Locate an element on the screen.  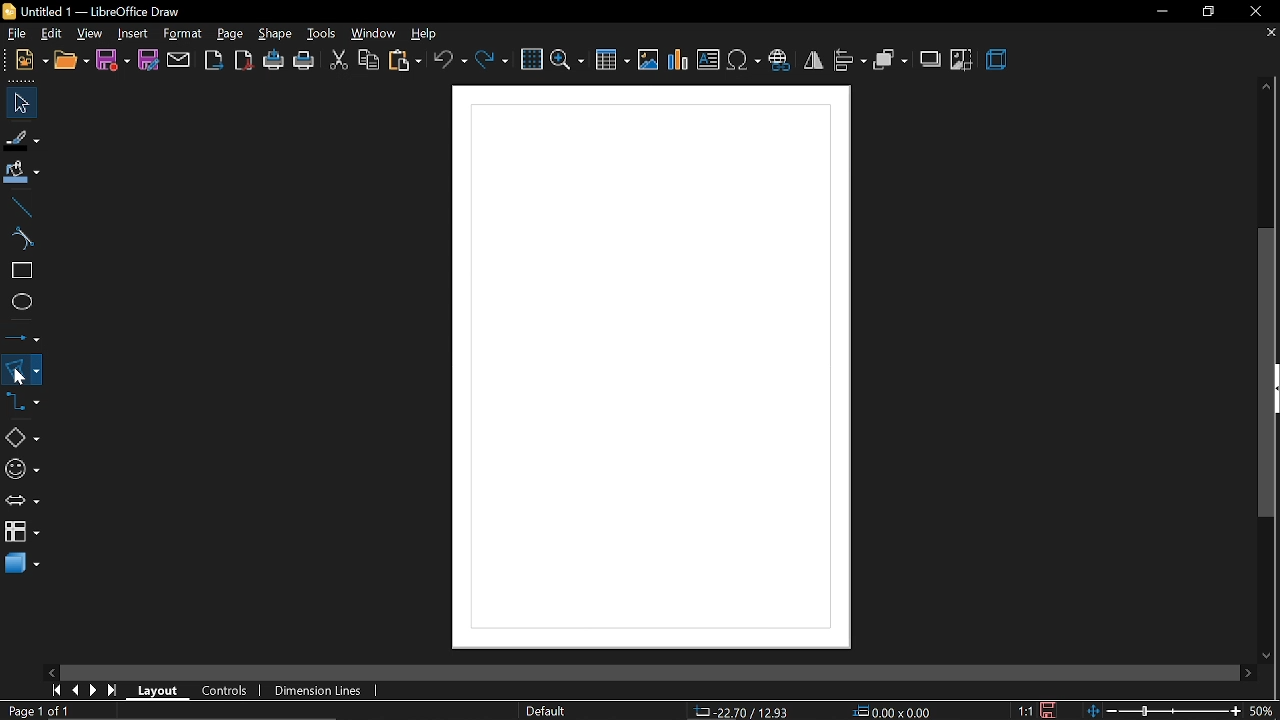
restore down is located at coordinates (1209, 11).